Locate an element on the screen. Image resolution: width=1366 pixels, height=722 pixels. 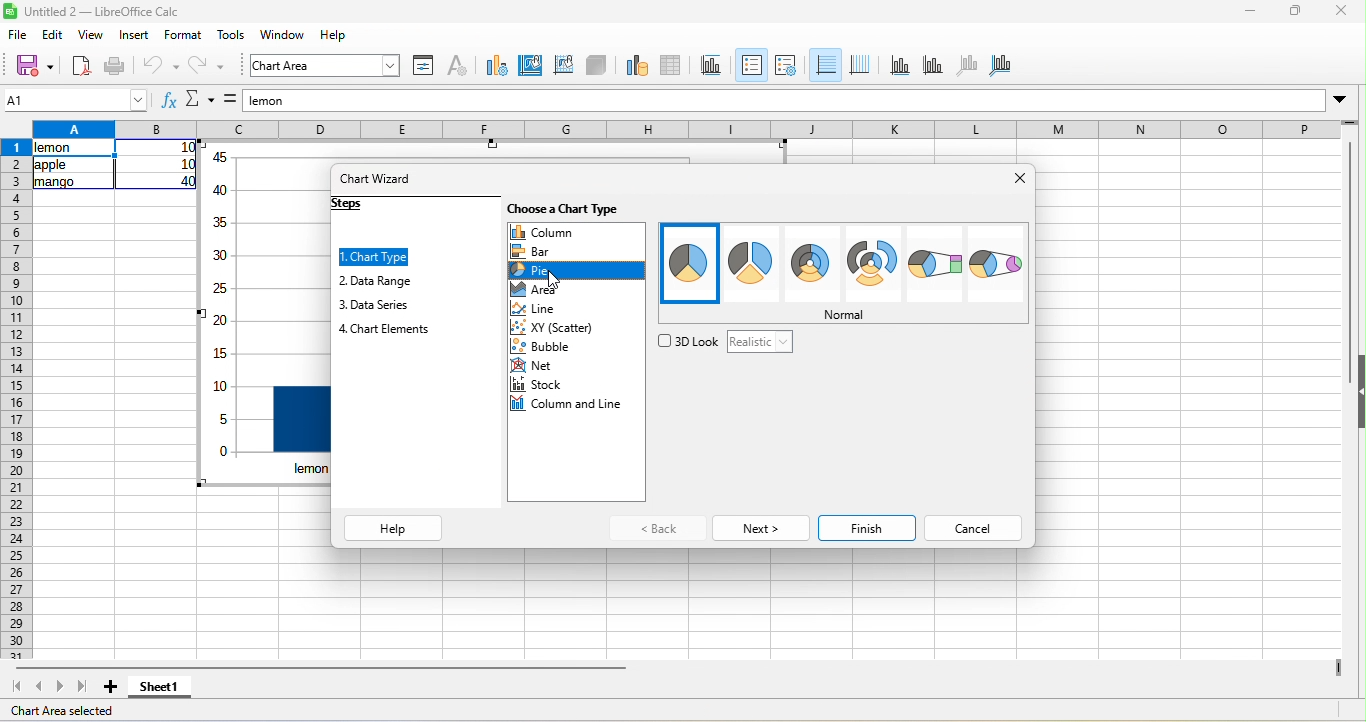
pie is located at coordinates (549, 271).